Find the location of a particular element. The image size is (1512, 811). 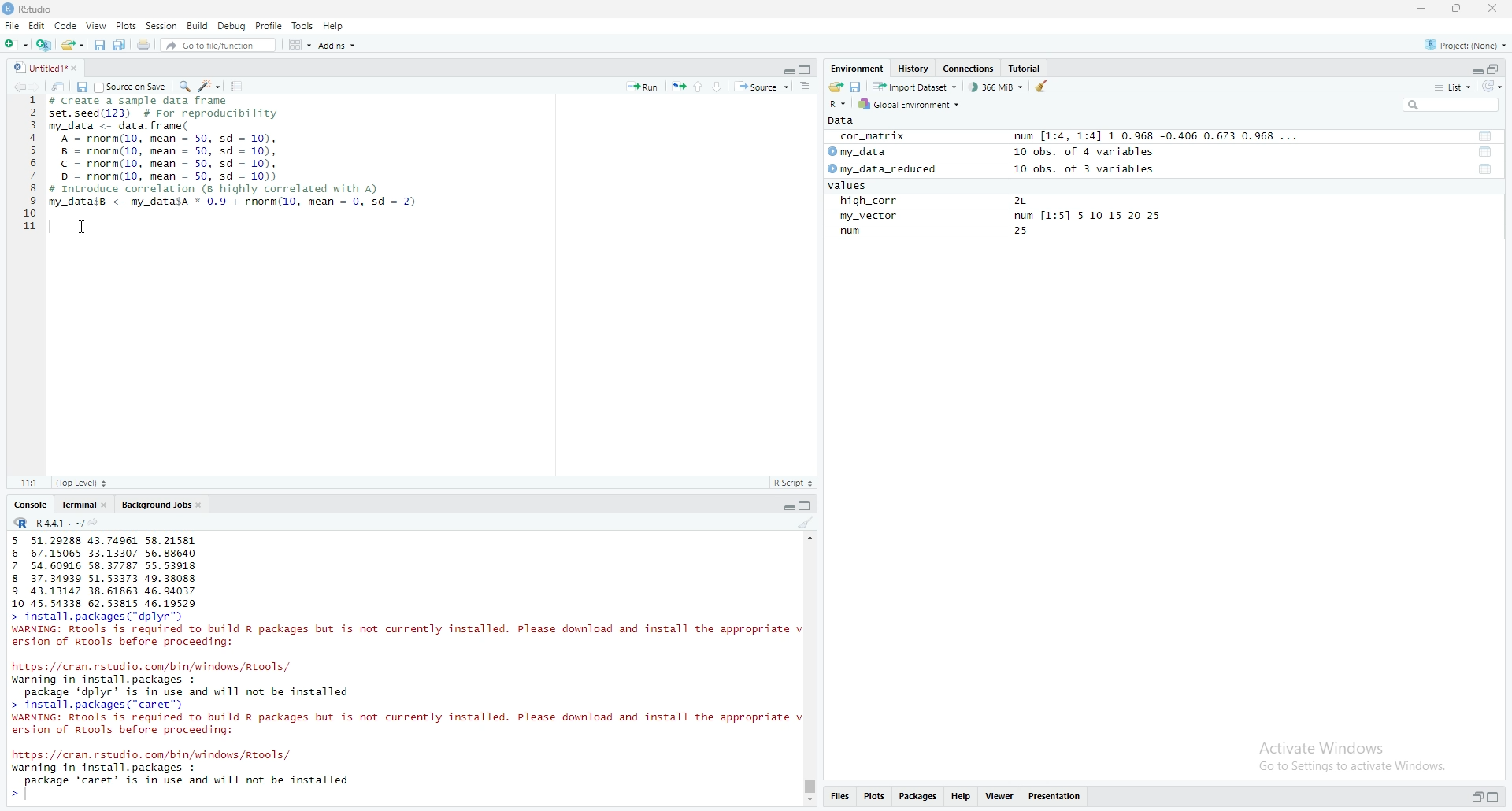

Help is located at coordinates (335, 26).